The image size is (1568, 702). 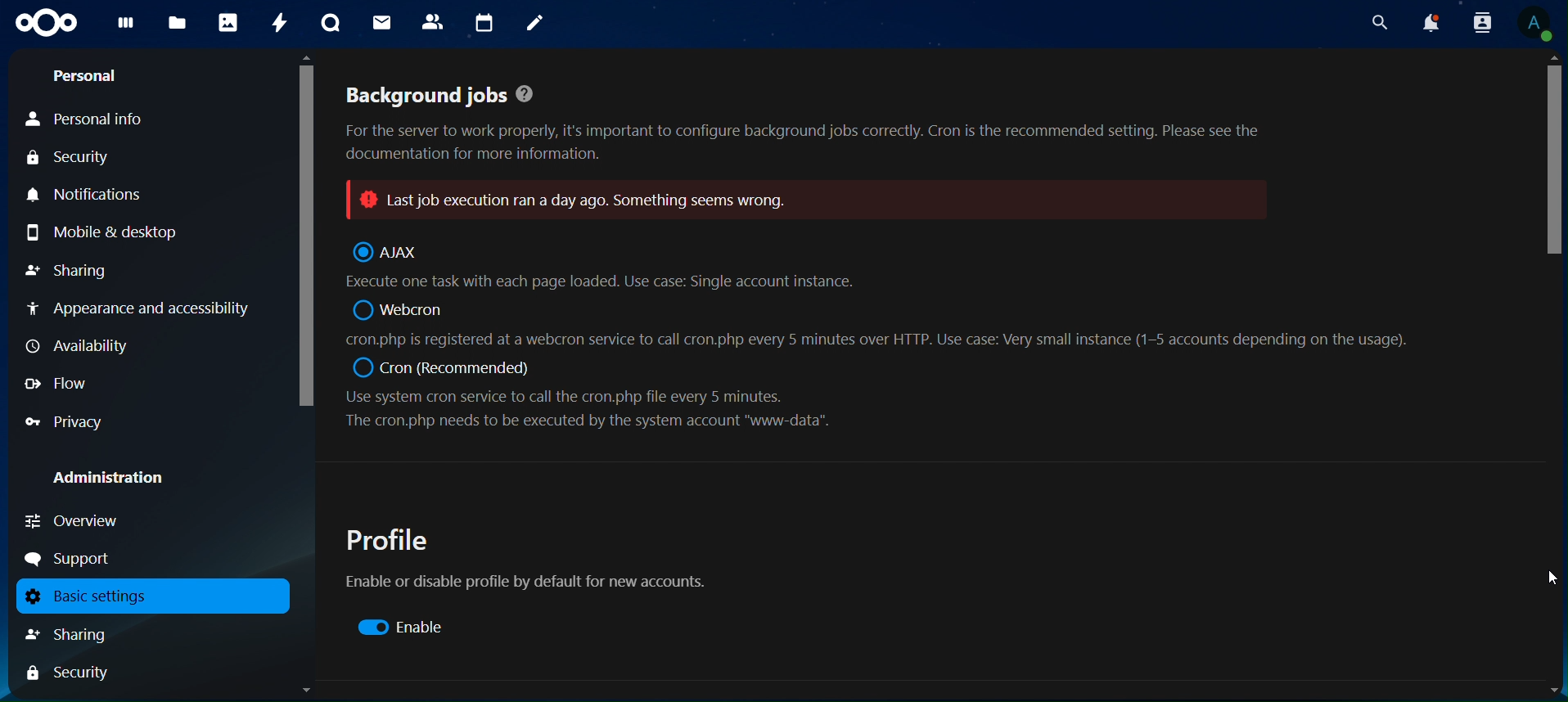 What do you see at coordinates (282, 23) in the screenshot?
I see `activity` at bounding box center [282, 23].